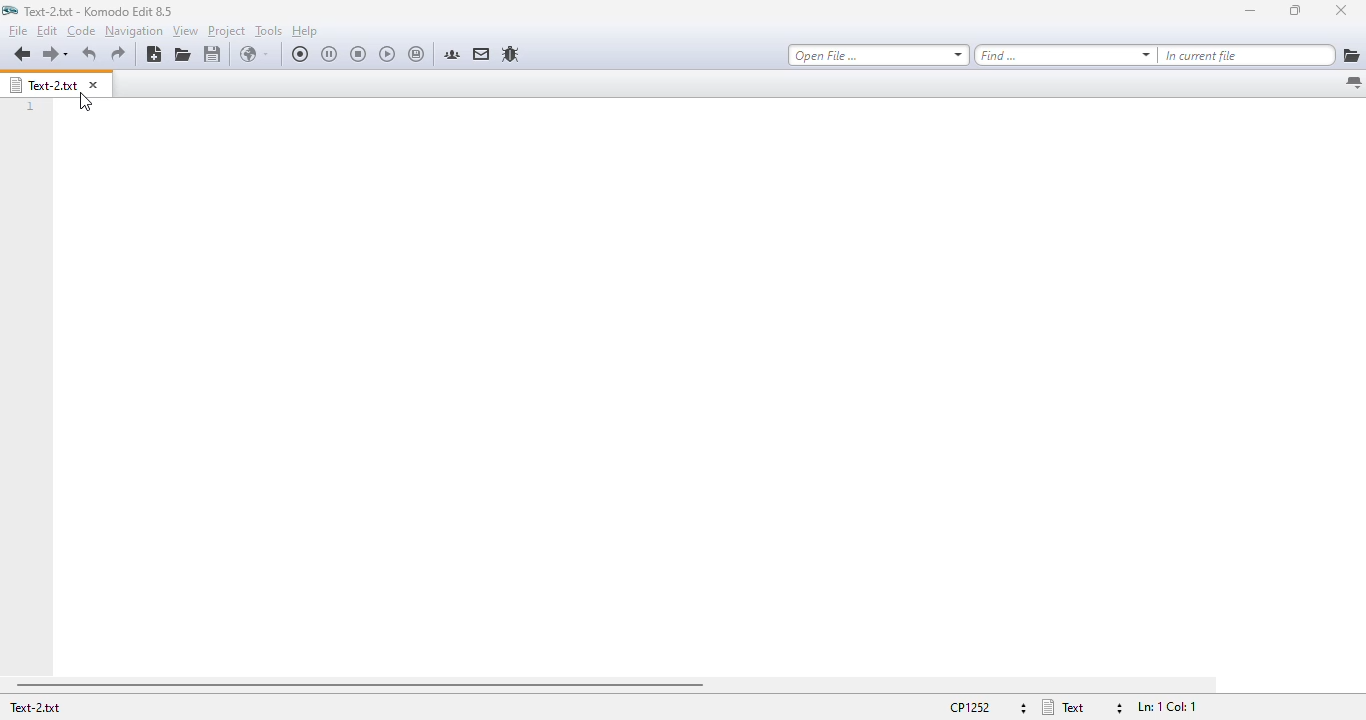  Describe the element at coordinates (268, 31) in the screenshot. I see `tools` at that location.